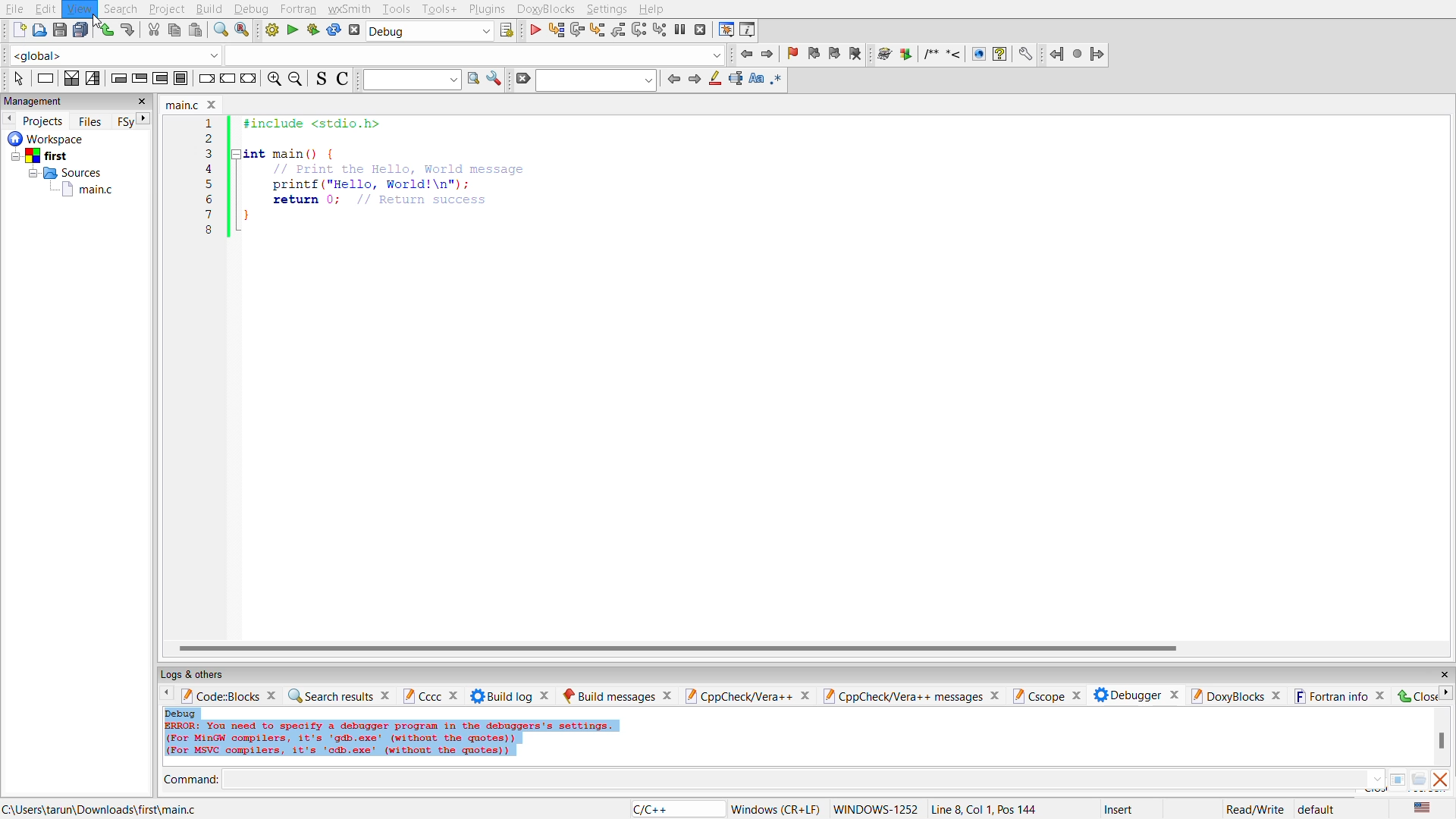  What do you see at coordinates (17, 79) in the screenshot?
I see `select` at bounding box center [17, 79].